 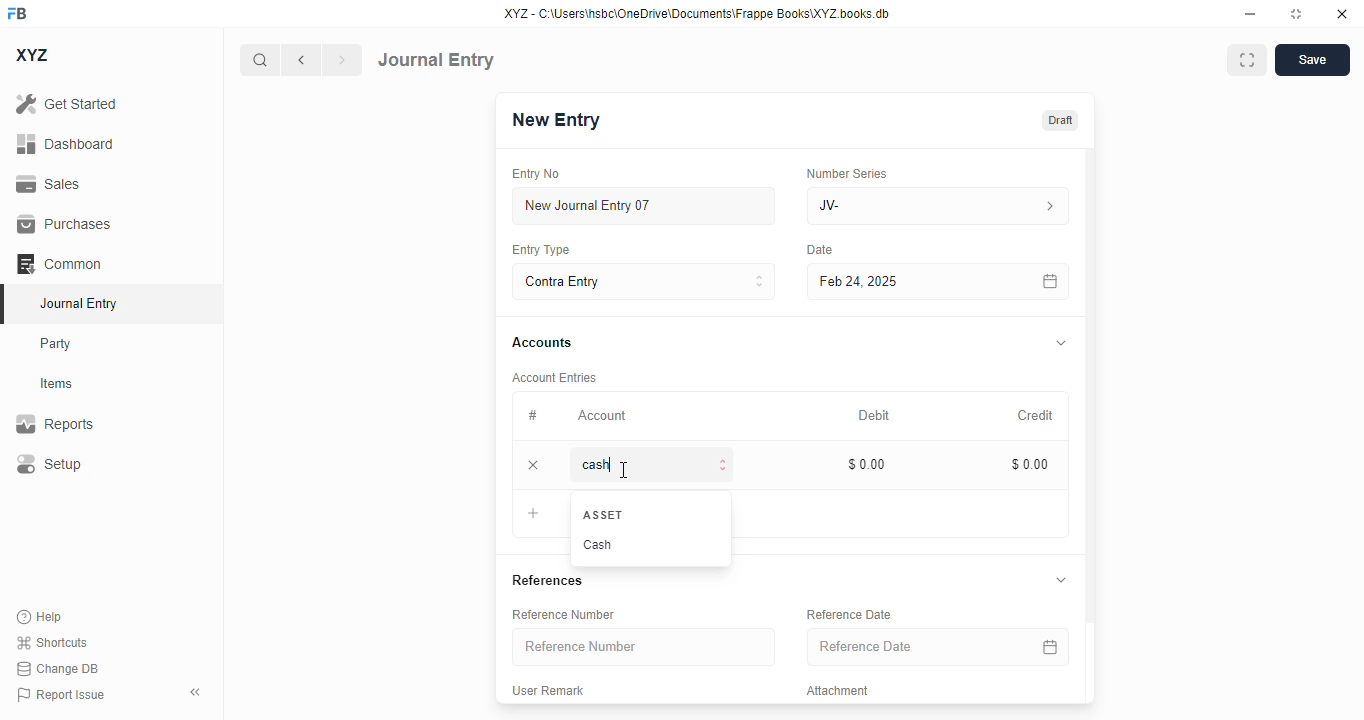 What do you see at coordinates (556, 377) in the screenshot?
I see `account entries` at bounding box center [556, 377].